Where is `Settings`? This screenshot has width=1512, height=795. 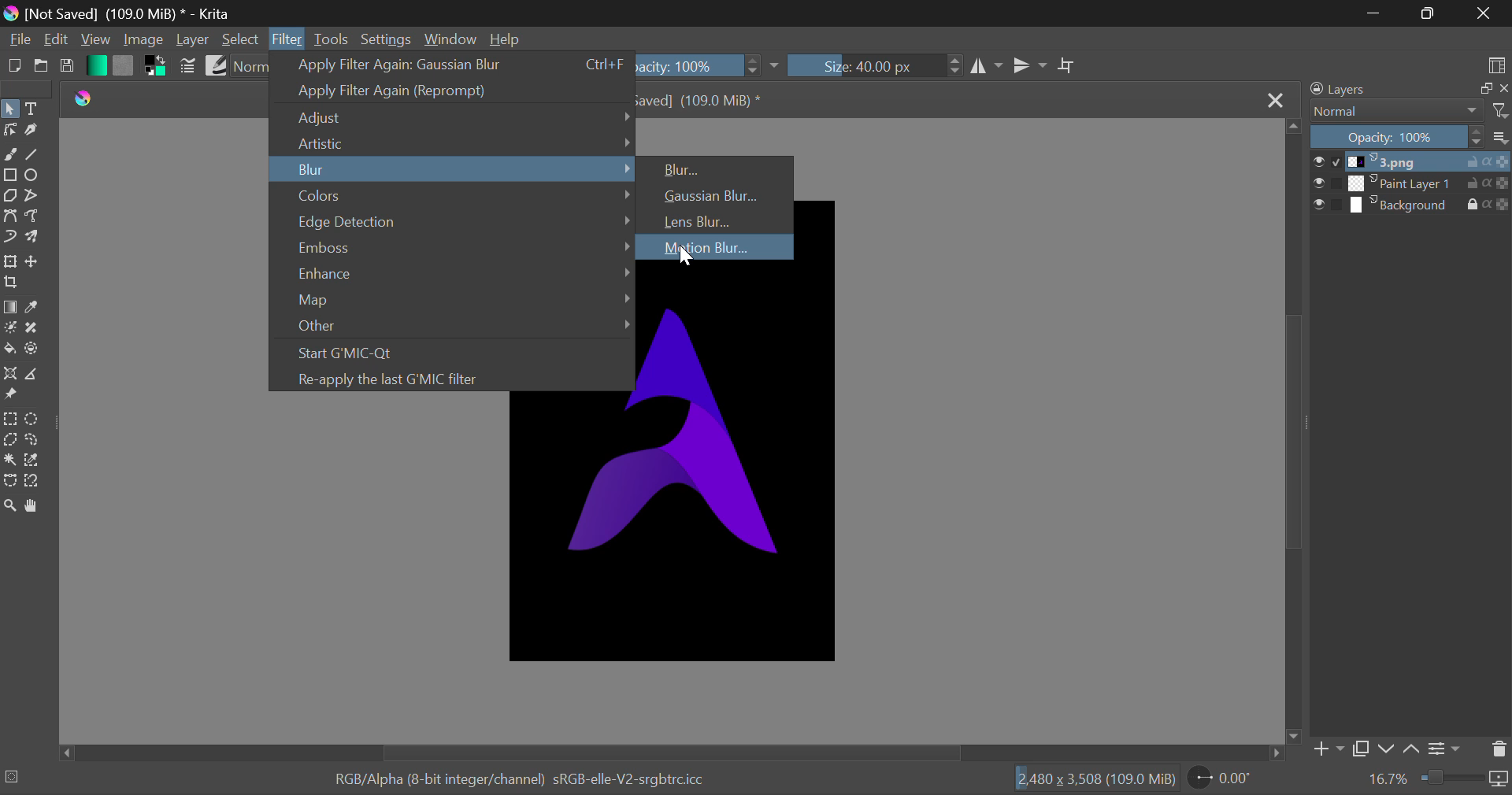
Settings is located at coordinates (384, 38).